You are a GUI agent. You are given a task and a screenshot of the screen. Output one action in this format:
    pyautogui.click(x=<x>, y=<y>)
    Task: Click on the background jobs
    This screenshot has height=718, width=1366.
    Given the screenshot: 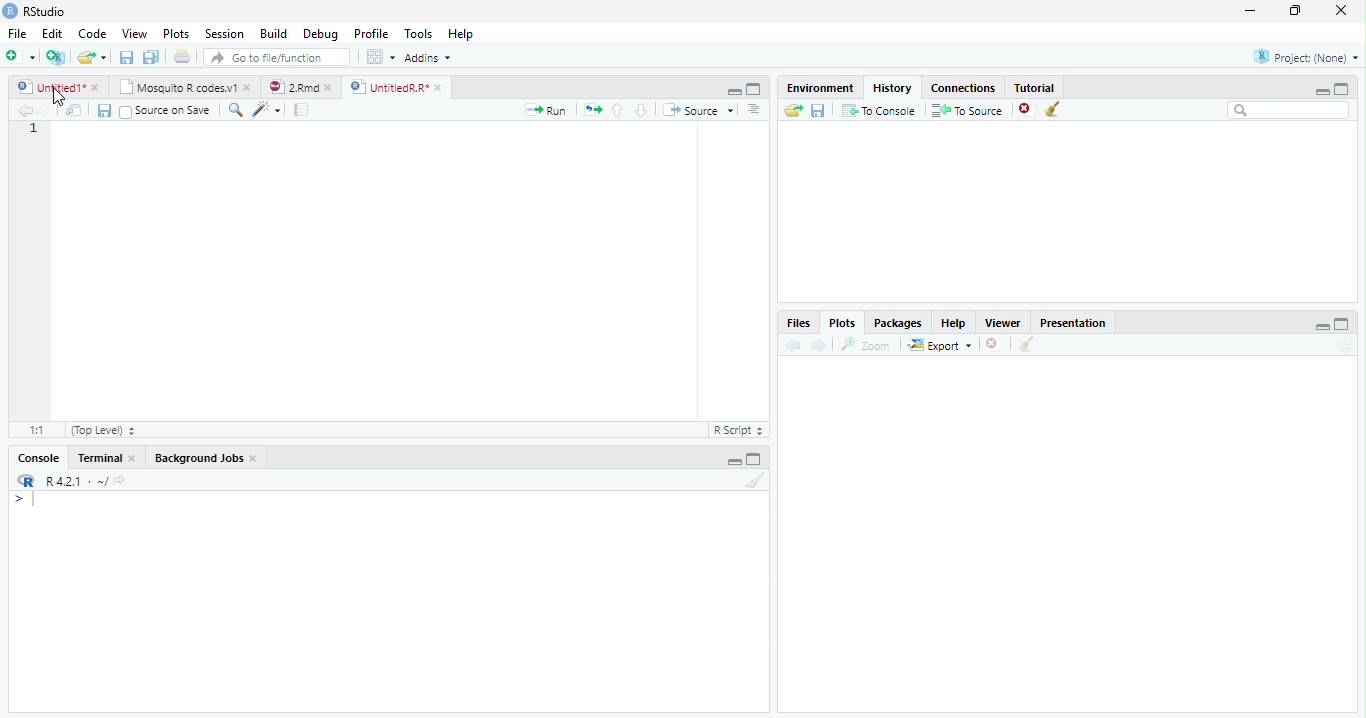 What is the action you would take?
    pyautogui.click(x=207, y=460)
    